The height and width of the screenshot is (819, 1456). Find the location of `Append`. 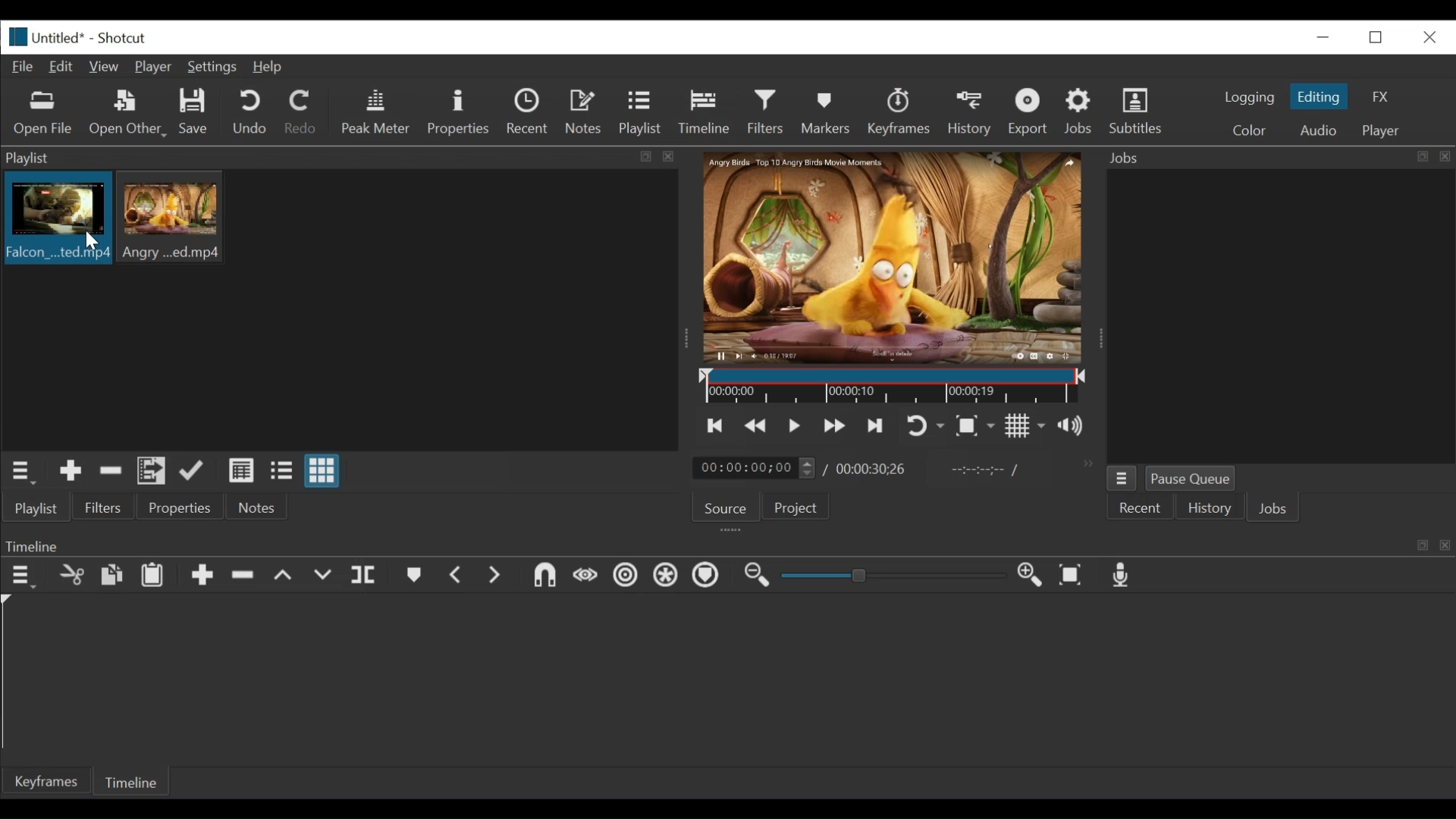

Append is located at coordinates (202, 579).